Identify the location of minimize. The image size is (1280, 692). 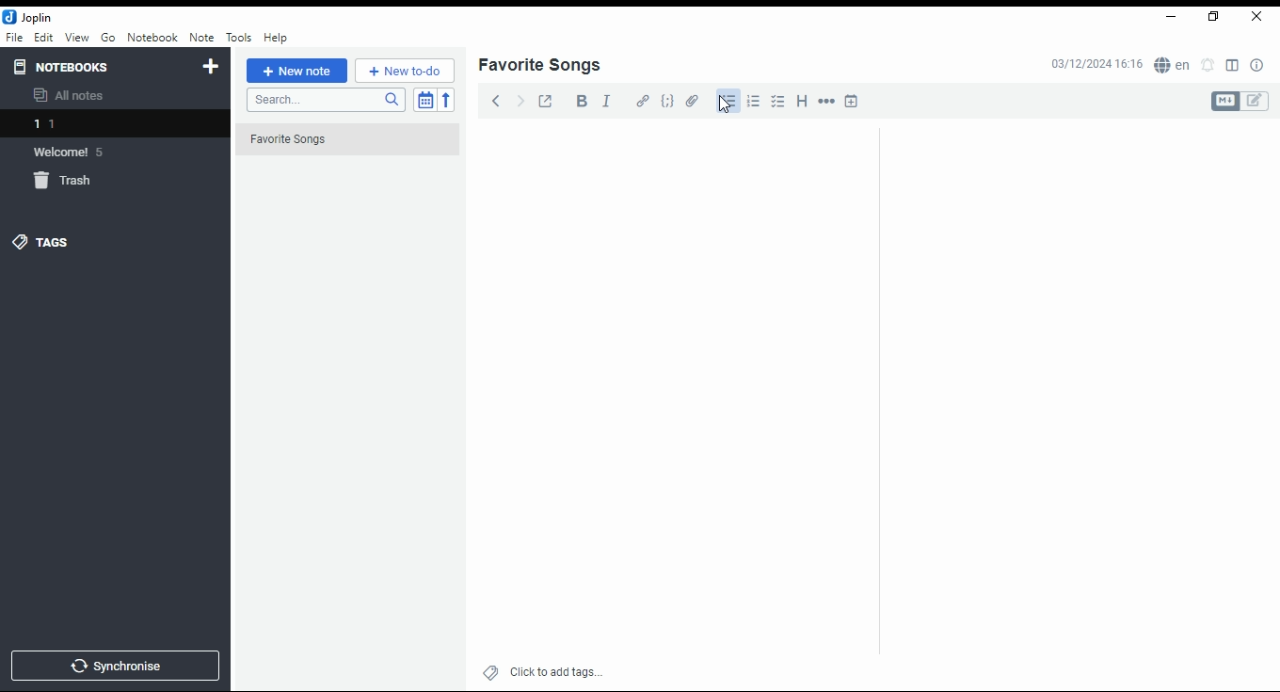
(1168, 18).